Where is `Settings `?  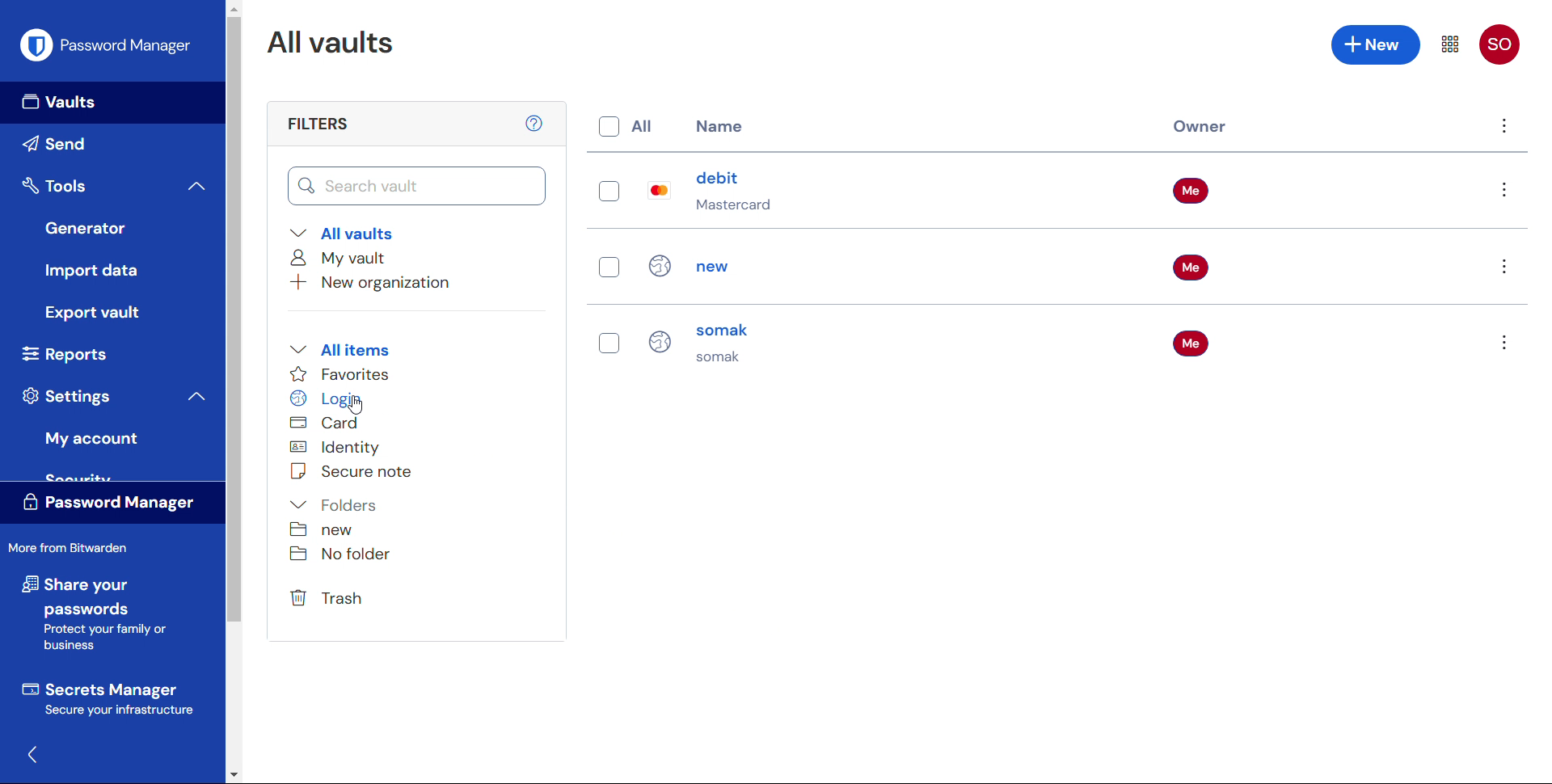
Settings  is located at coordinates (70, 397).